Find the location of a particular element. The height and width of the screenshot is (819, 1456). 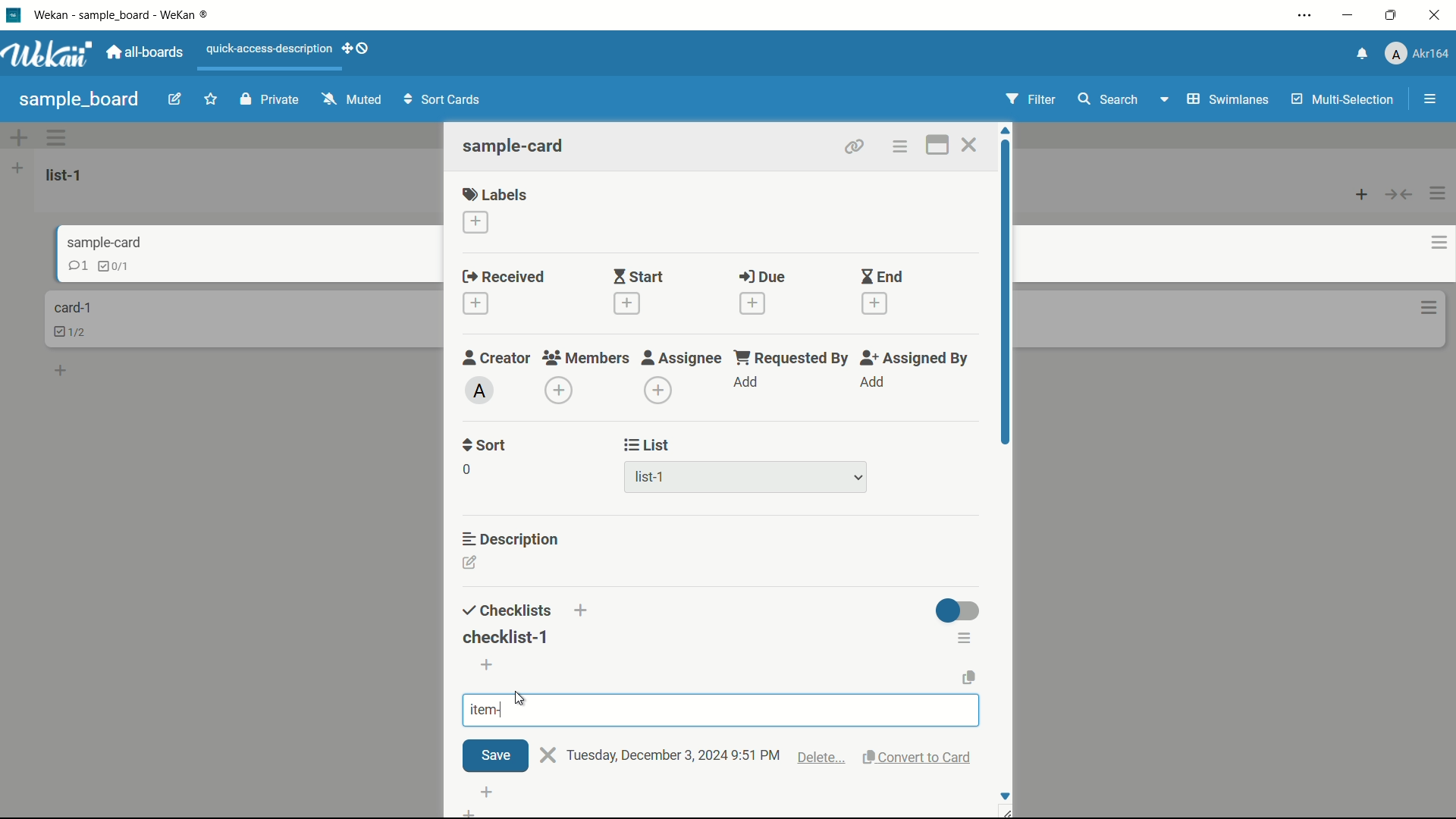

comment is located at coordinates (67, 267).